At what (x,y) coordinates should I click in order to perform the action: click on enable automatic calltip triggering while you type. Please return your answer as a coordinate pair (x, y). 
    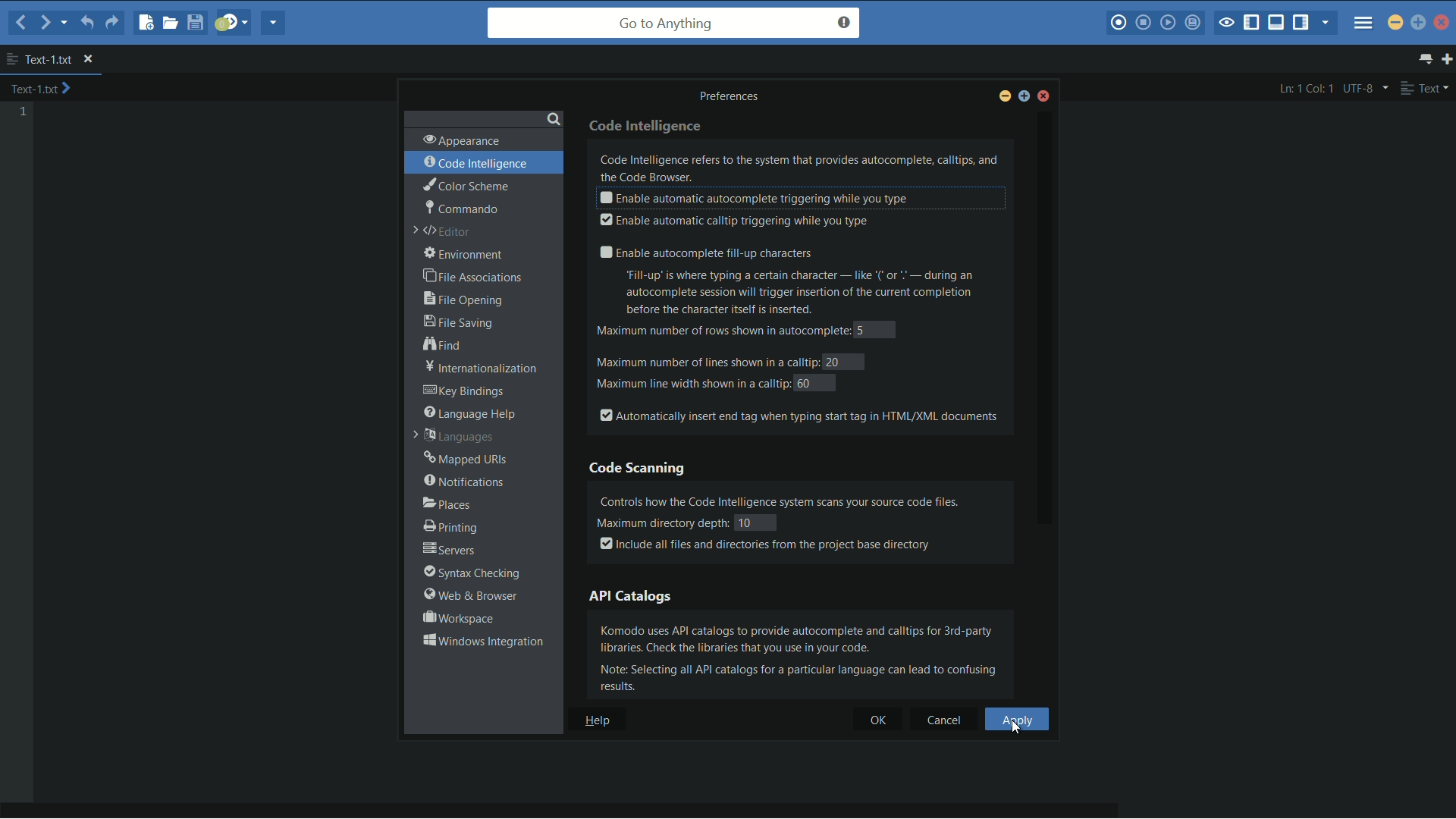
    Looking at the image, I should click on (733, 221).